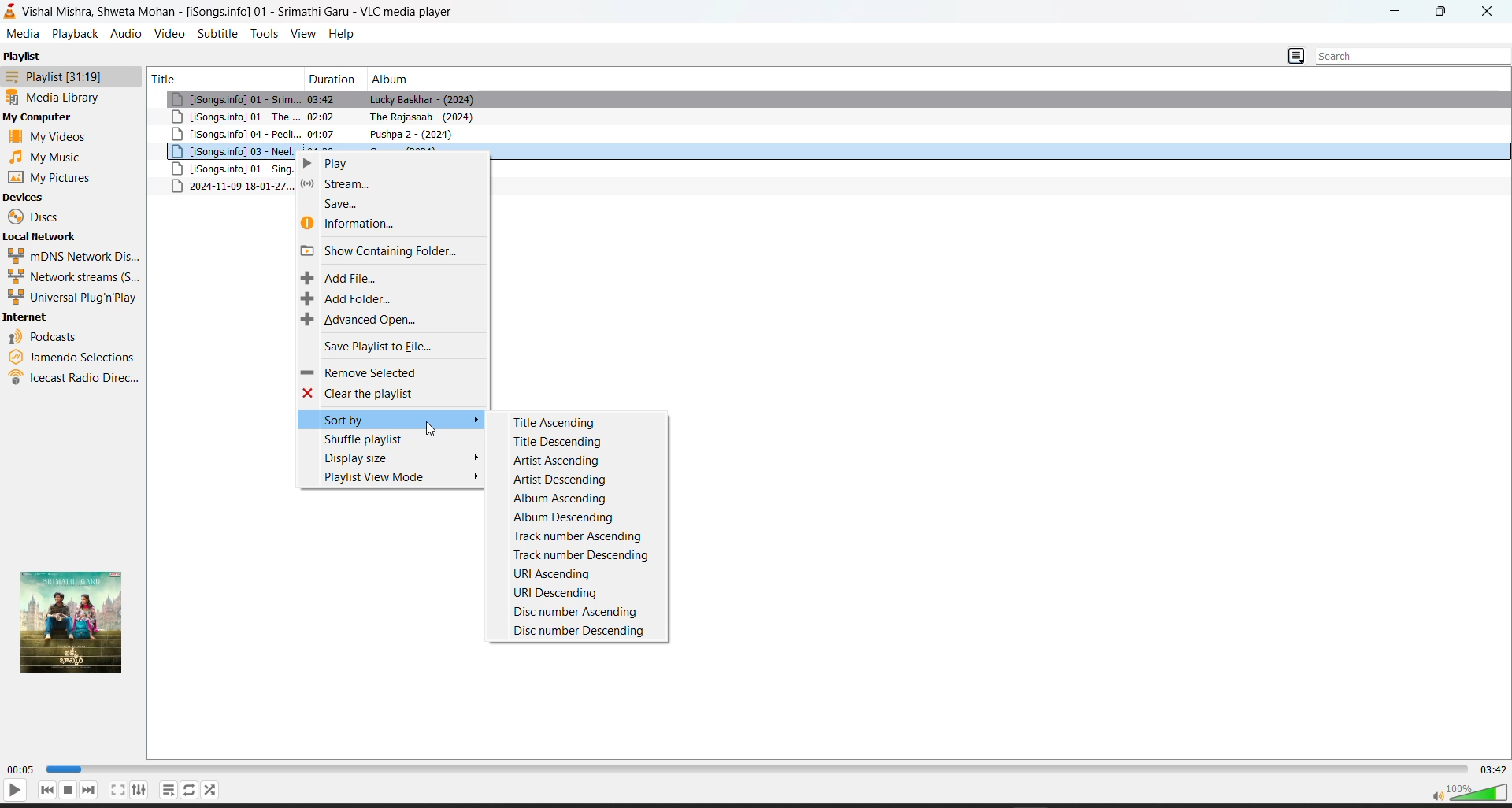 The image size is (1512, 808). Describe the element at coordinates (1401, 57) in the screenshot. I see `search` at that location.